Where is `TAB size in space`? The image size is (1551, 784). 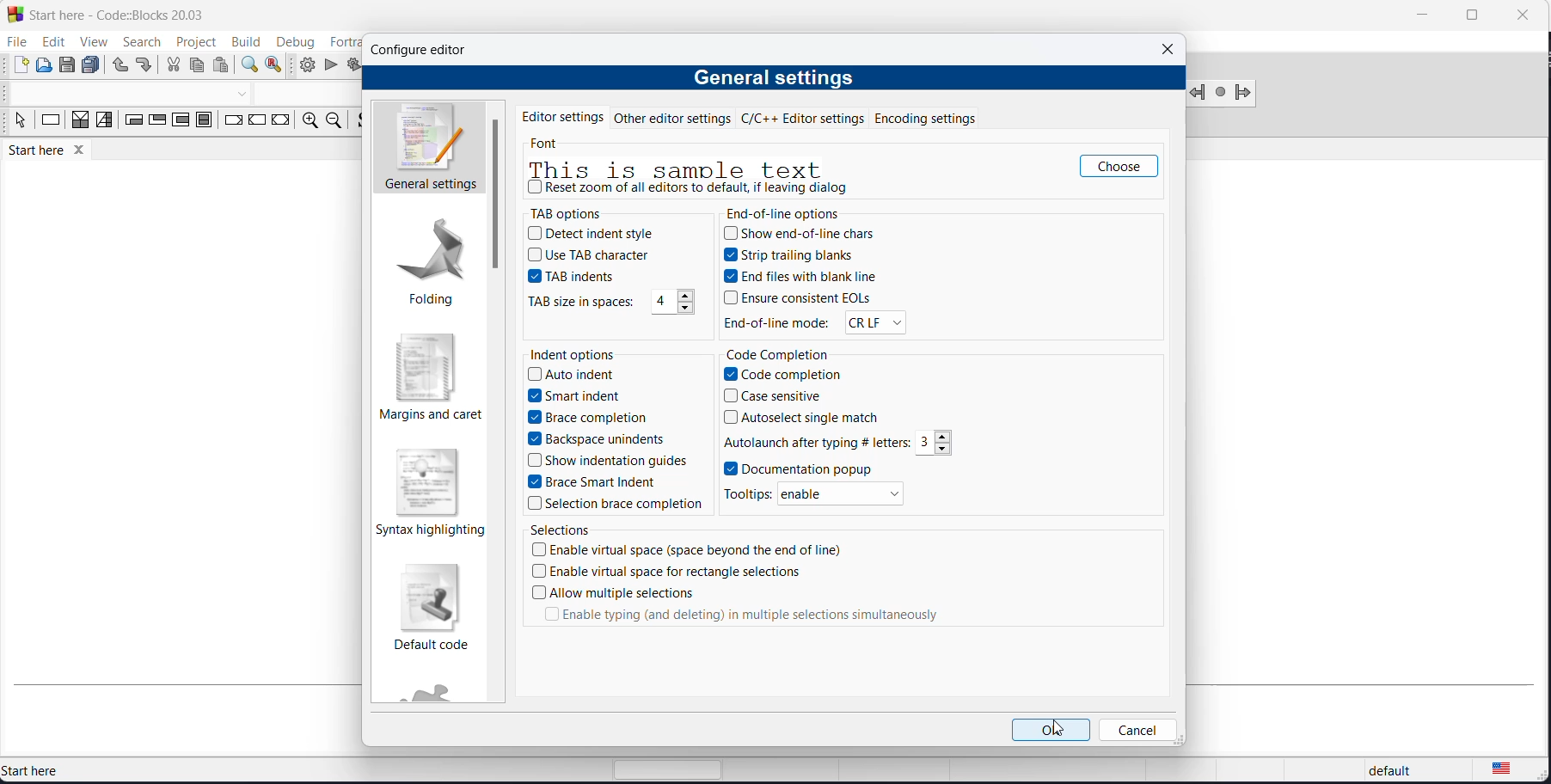
TAB size in space is located at coordinates (581, 303).